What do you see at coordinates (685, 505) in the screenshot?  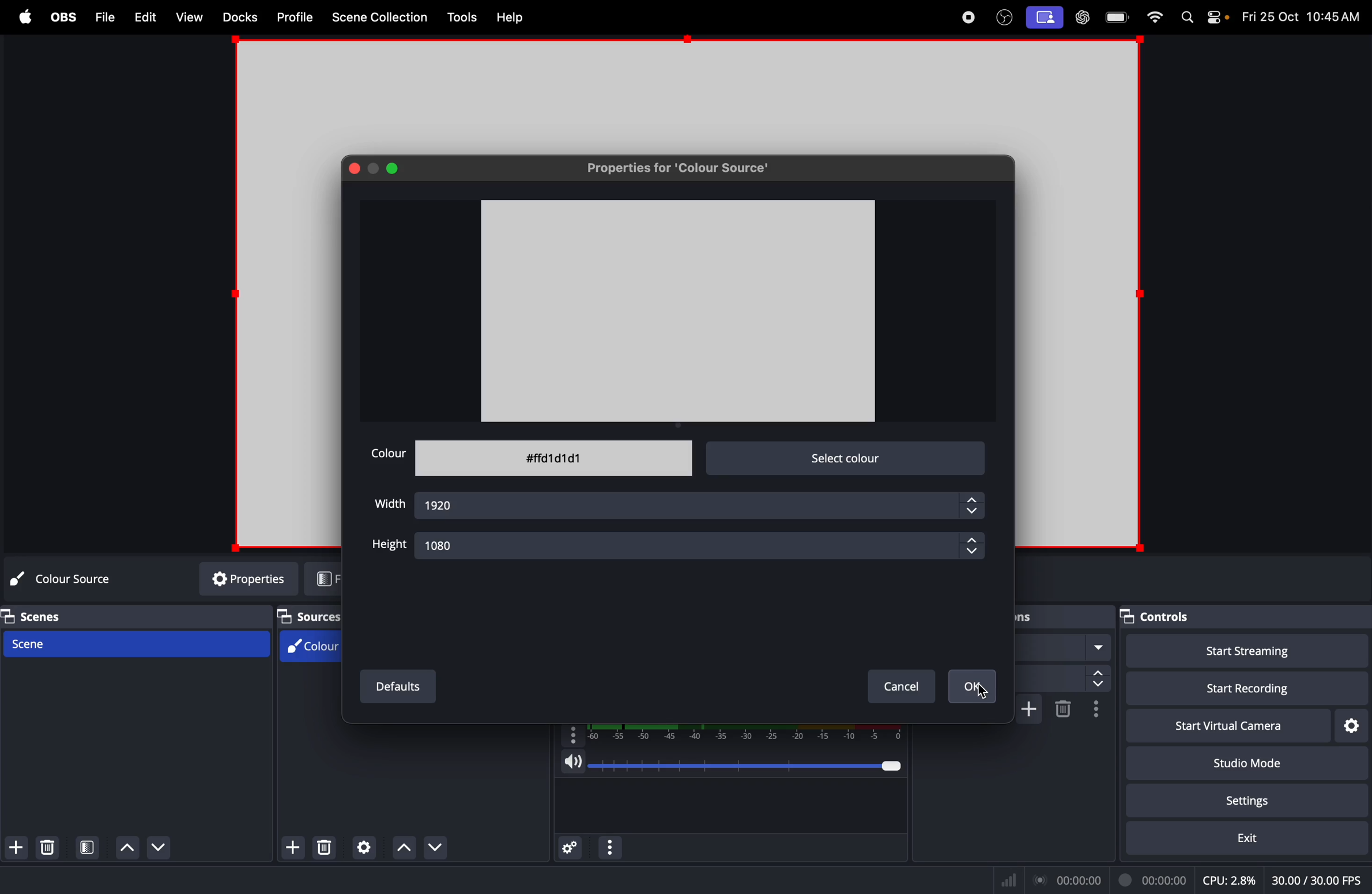 I see `1920 ` at bounding box center [685, 505].